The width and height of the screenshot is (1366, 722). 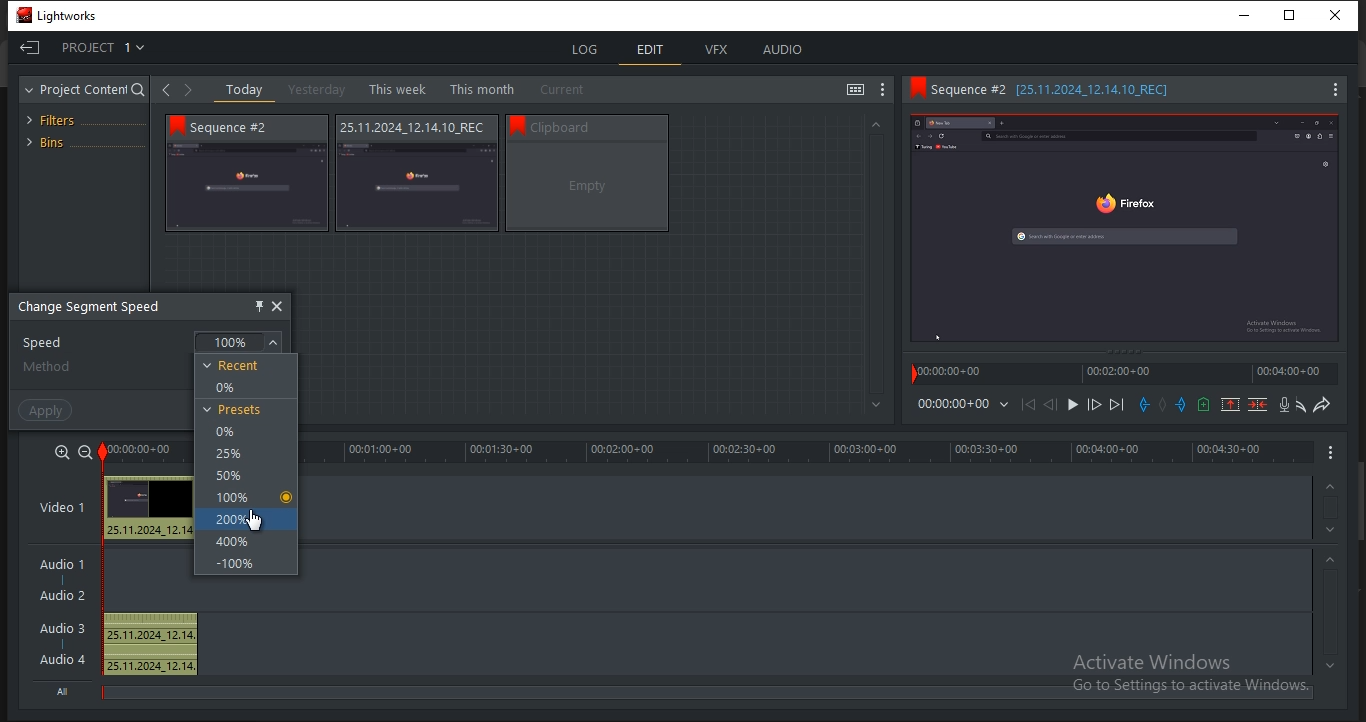 I want to click on 50, so click(x=233, y=475).